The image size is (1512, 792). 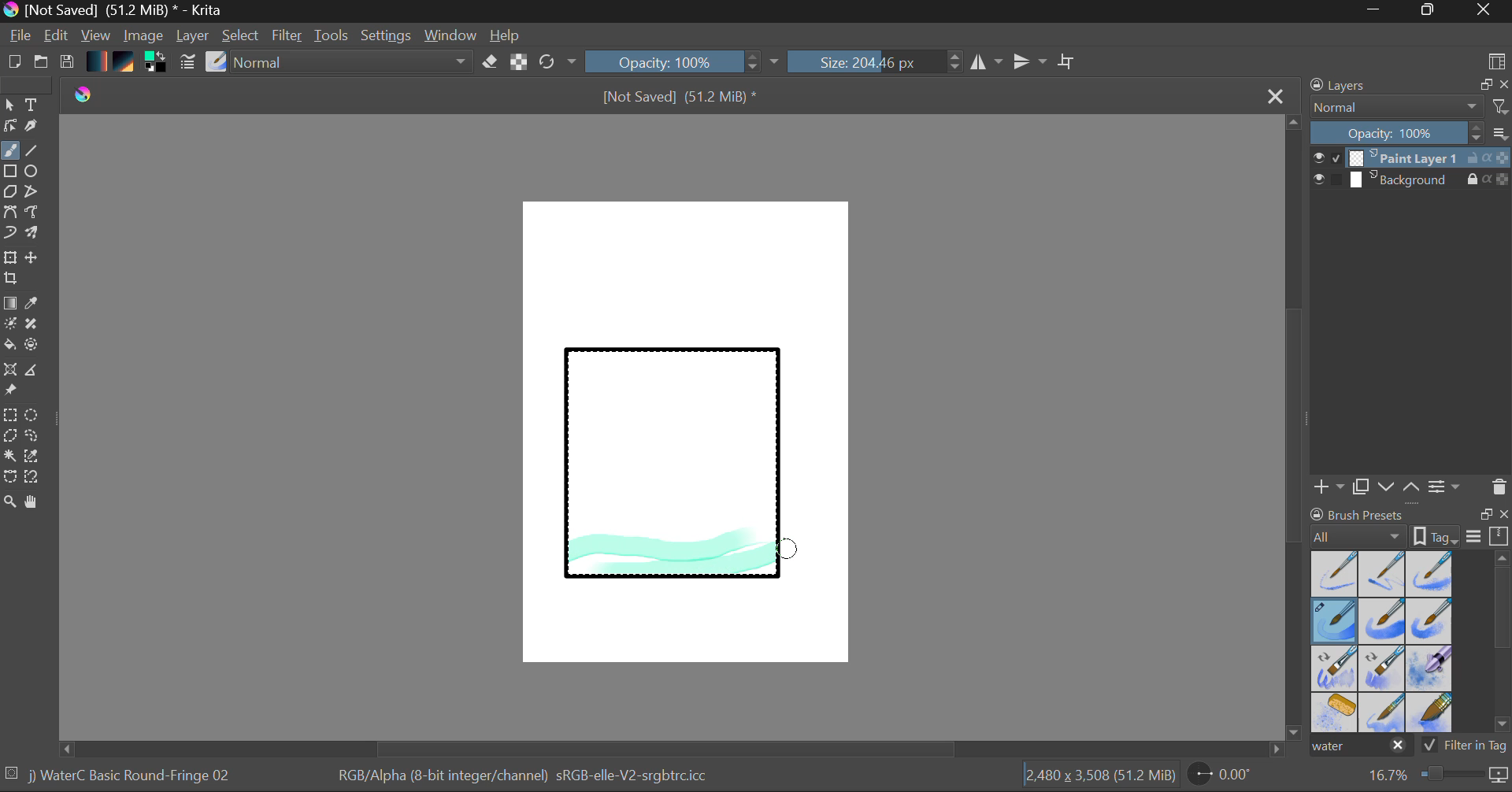 I want to click on Close, so click(x=1485, y=11).